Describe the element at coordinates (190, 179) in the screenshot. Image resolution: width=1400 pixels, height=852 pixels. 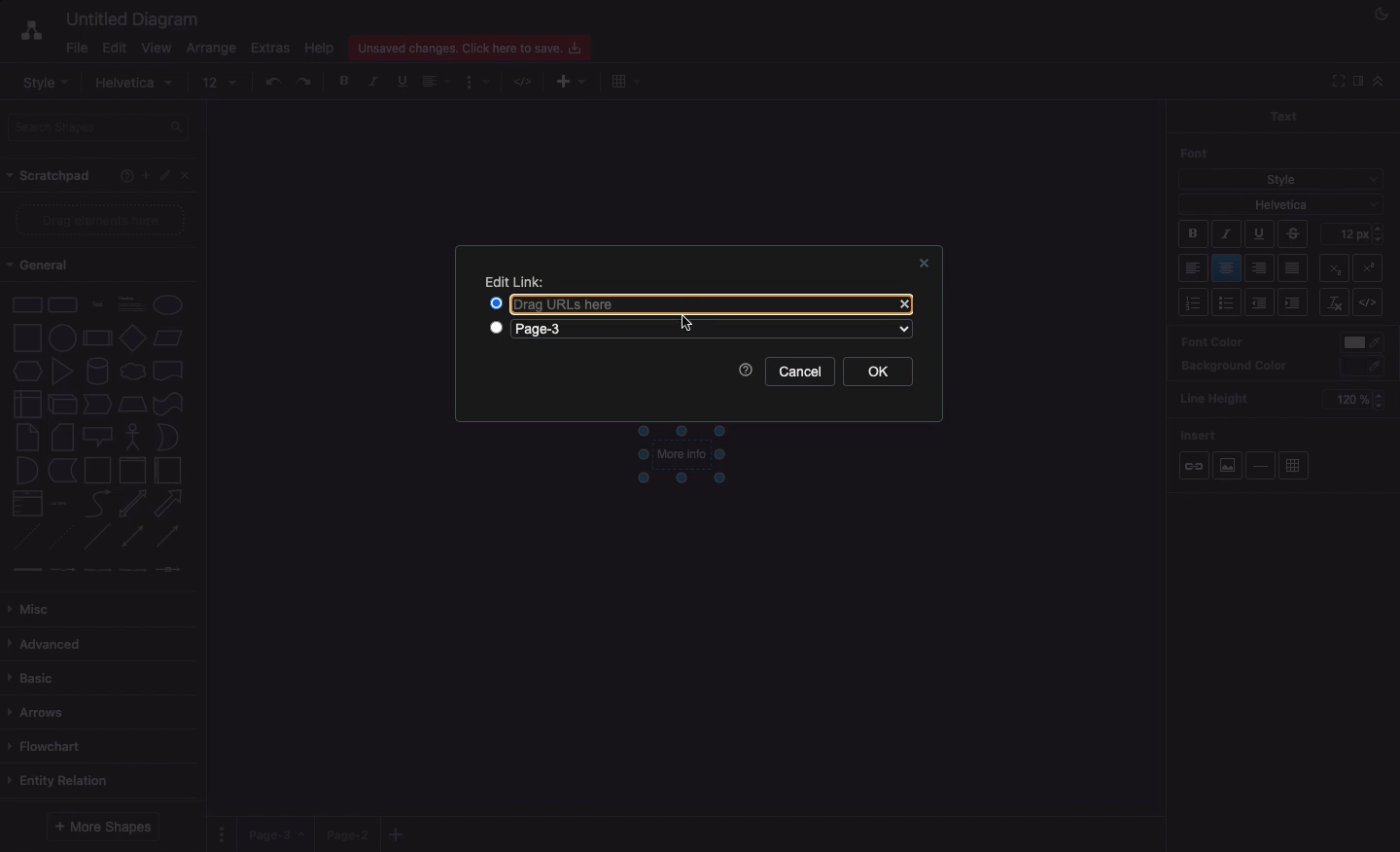
I see `Close` at that location.